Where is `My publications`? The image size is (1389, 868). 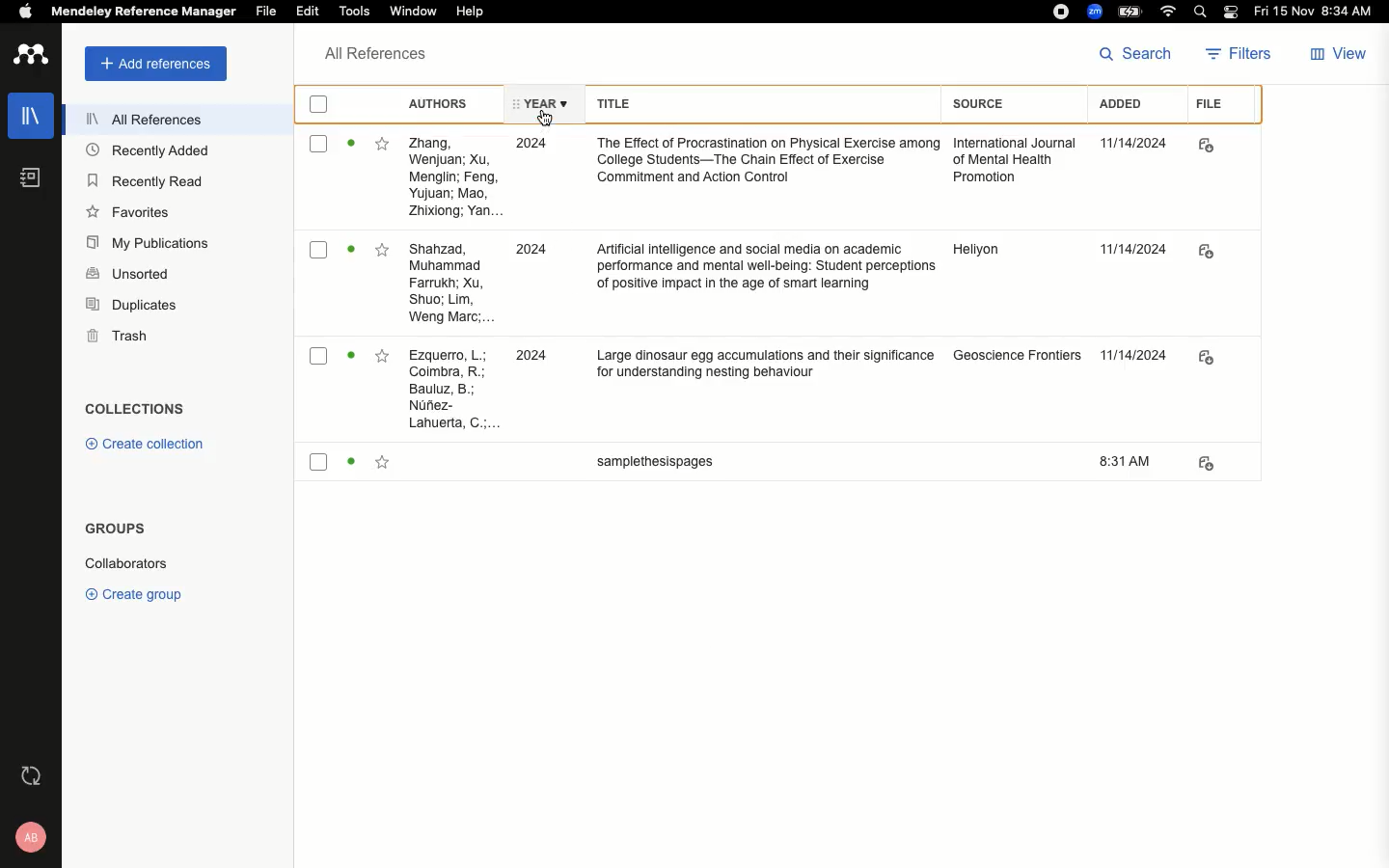 My publications is located at coordinates (147, 243).